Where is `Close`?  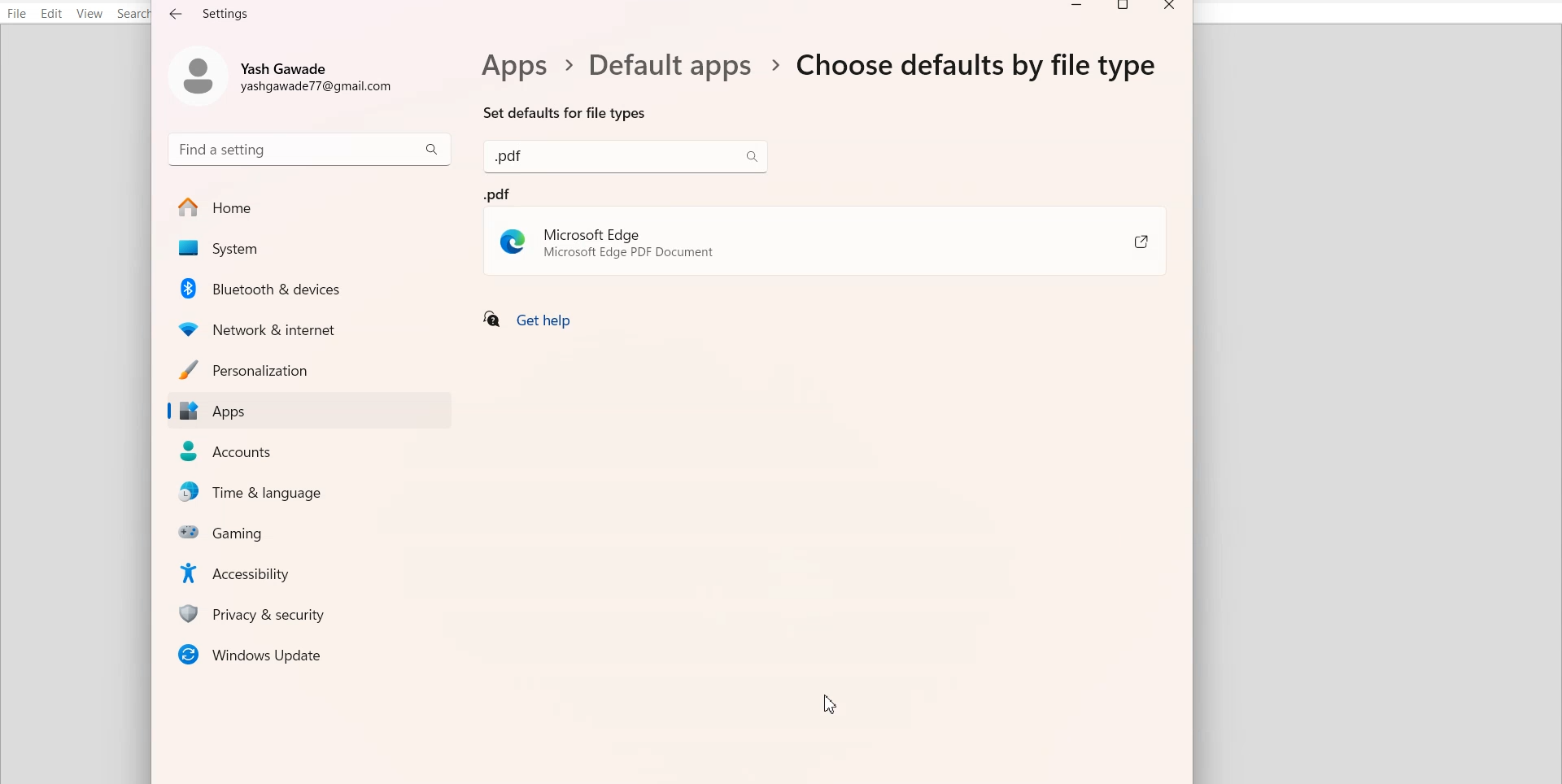
Close is located at coordinates (1169, 8).